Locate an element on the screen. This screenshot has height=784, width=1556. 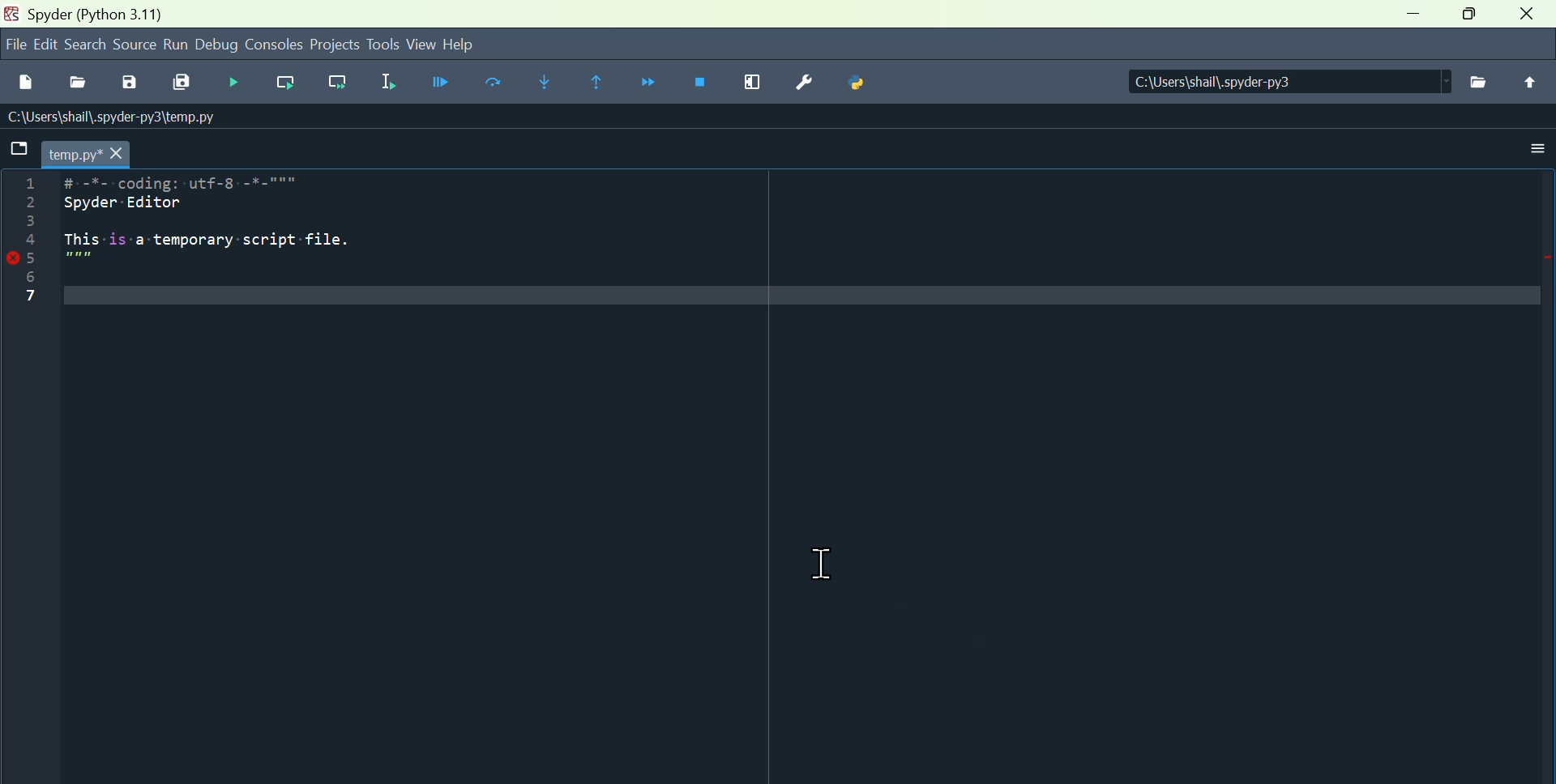
close is located at coordinates (1528, 15).